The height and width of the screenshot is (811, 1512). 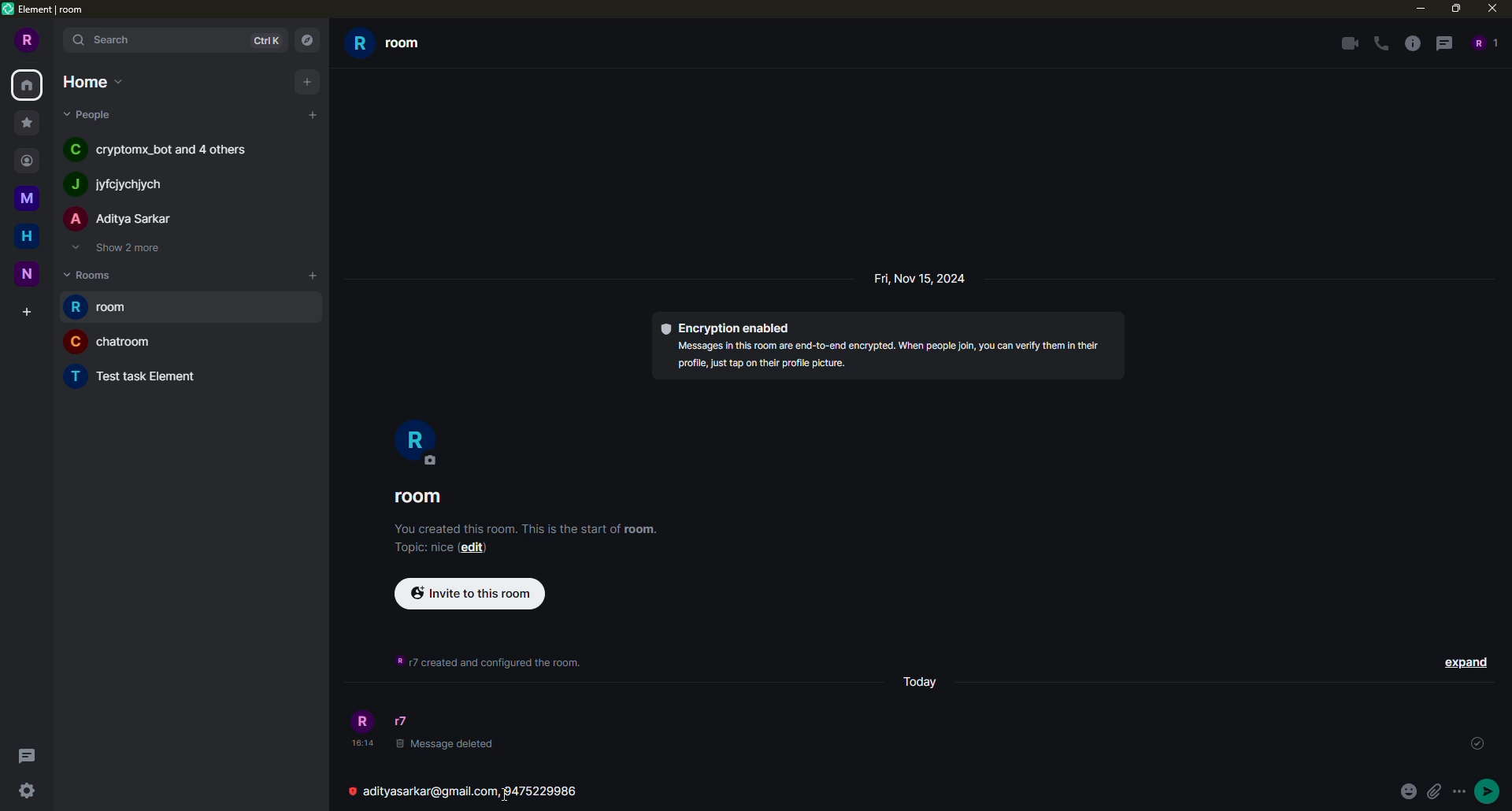 What do you see at coordinates (470, 594) in the screenshot?
I see `invite to this room` at bounding box center [470, 594].